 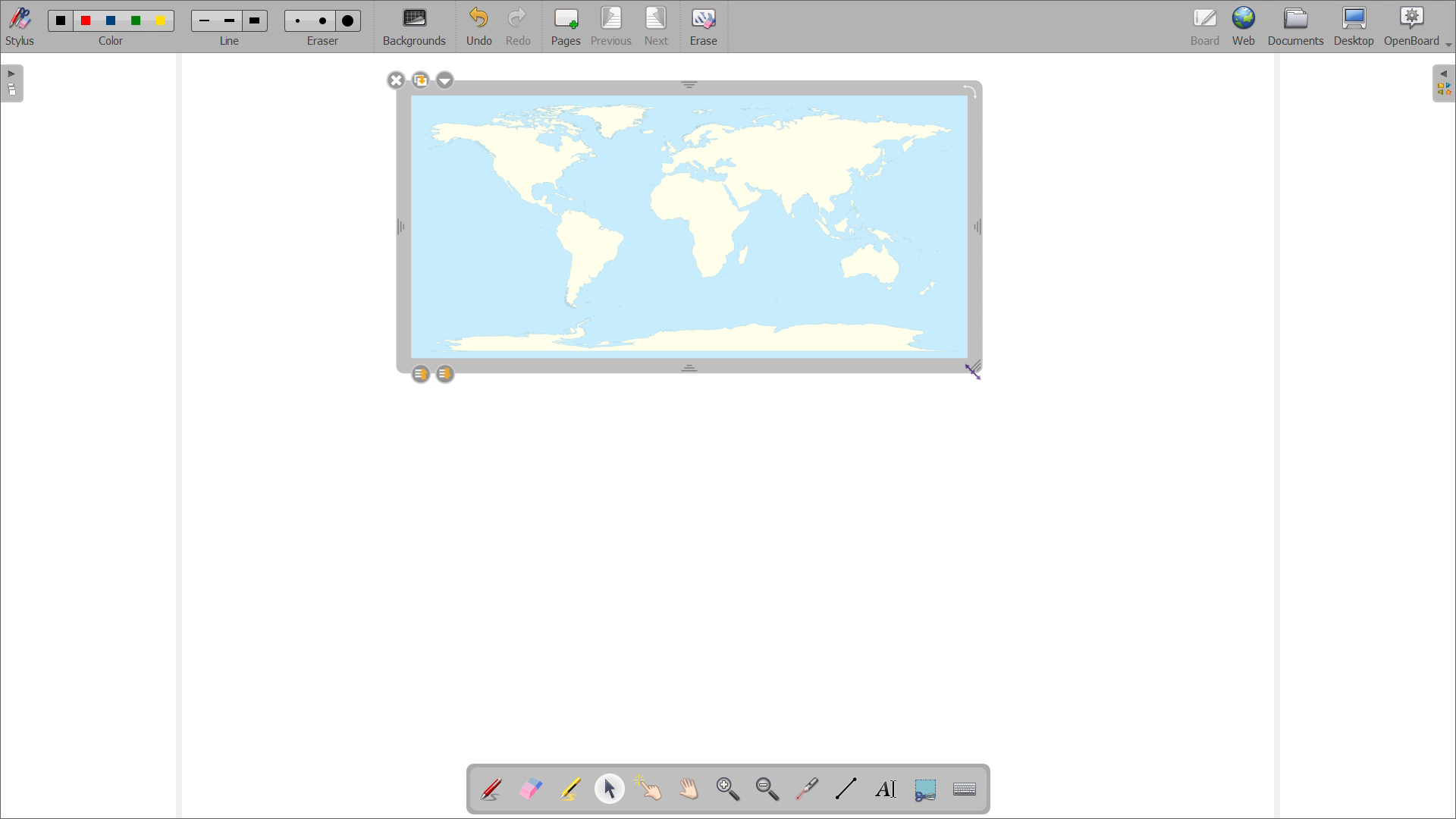 What do you see at coordinates (570, 790) in the screenshot?
I see `highlights` at bounding box center [570, 790].